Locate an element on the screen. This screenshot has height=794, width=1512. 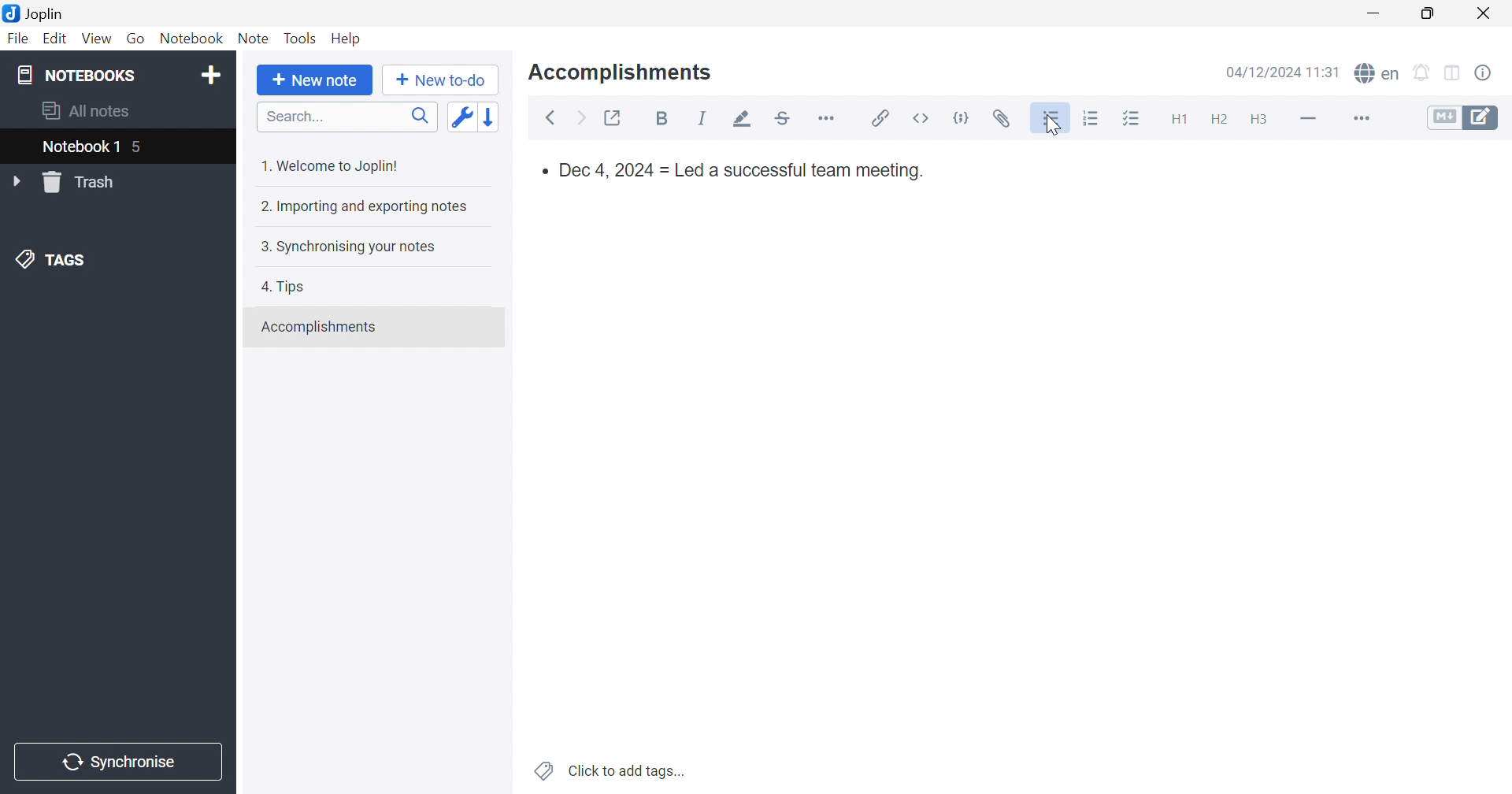
Italic is located at coordinates (706, 118).